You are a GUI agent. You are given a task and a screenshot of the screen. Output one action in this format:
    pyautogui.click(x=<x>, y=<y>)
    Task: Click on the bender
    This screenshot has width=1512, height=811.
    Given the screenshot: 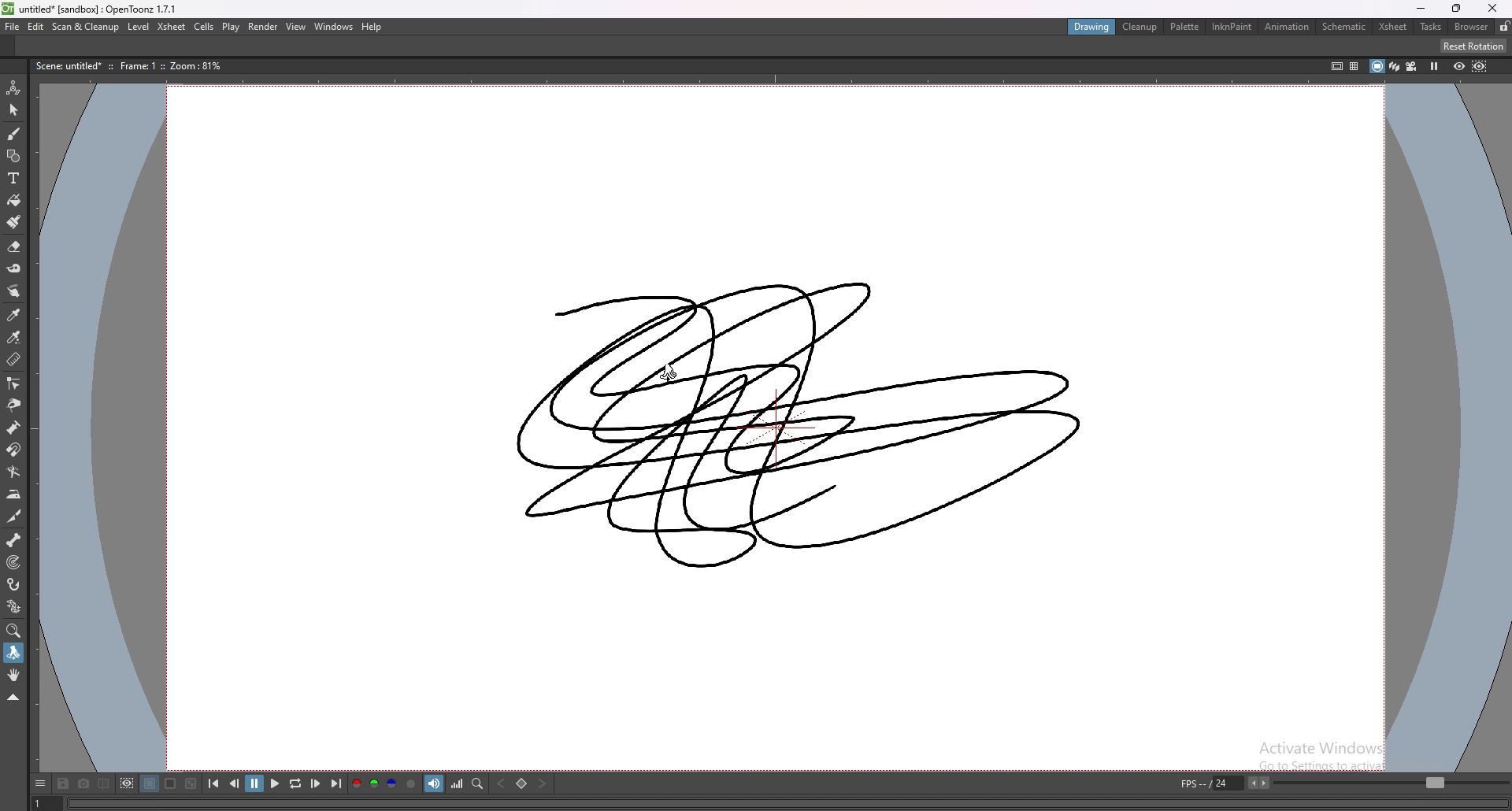 What is the action you would take?
    pyautogui.click(x=14, y=472)
    